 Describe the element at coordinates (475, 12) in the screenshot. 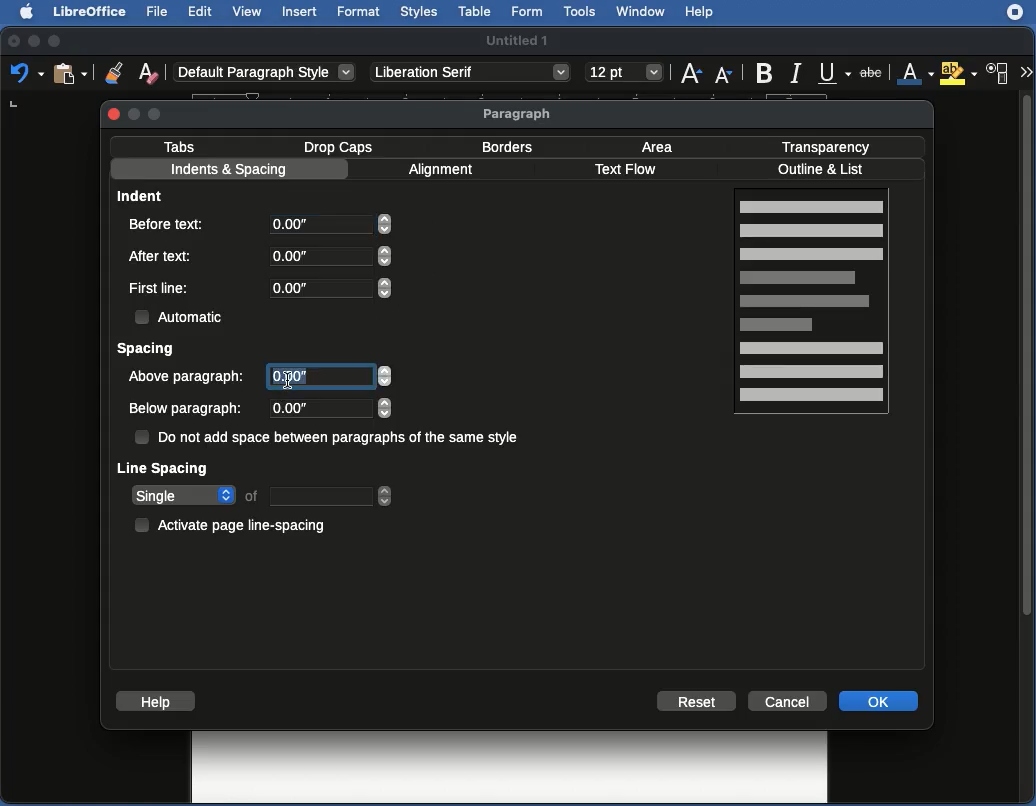

I see `Table` at that location.